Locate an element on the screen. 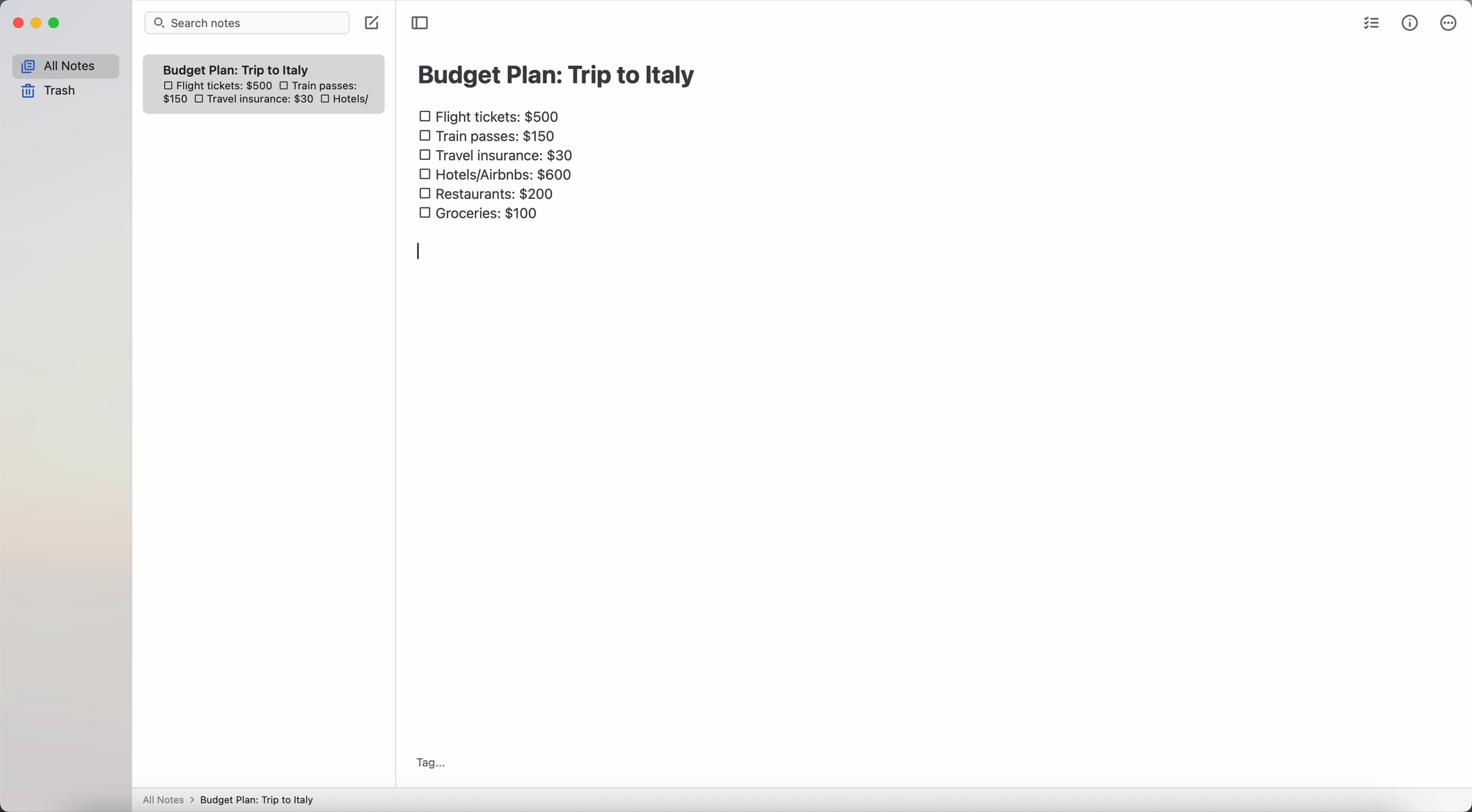  checkbox is located at coordinates (329, 100).